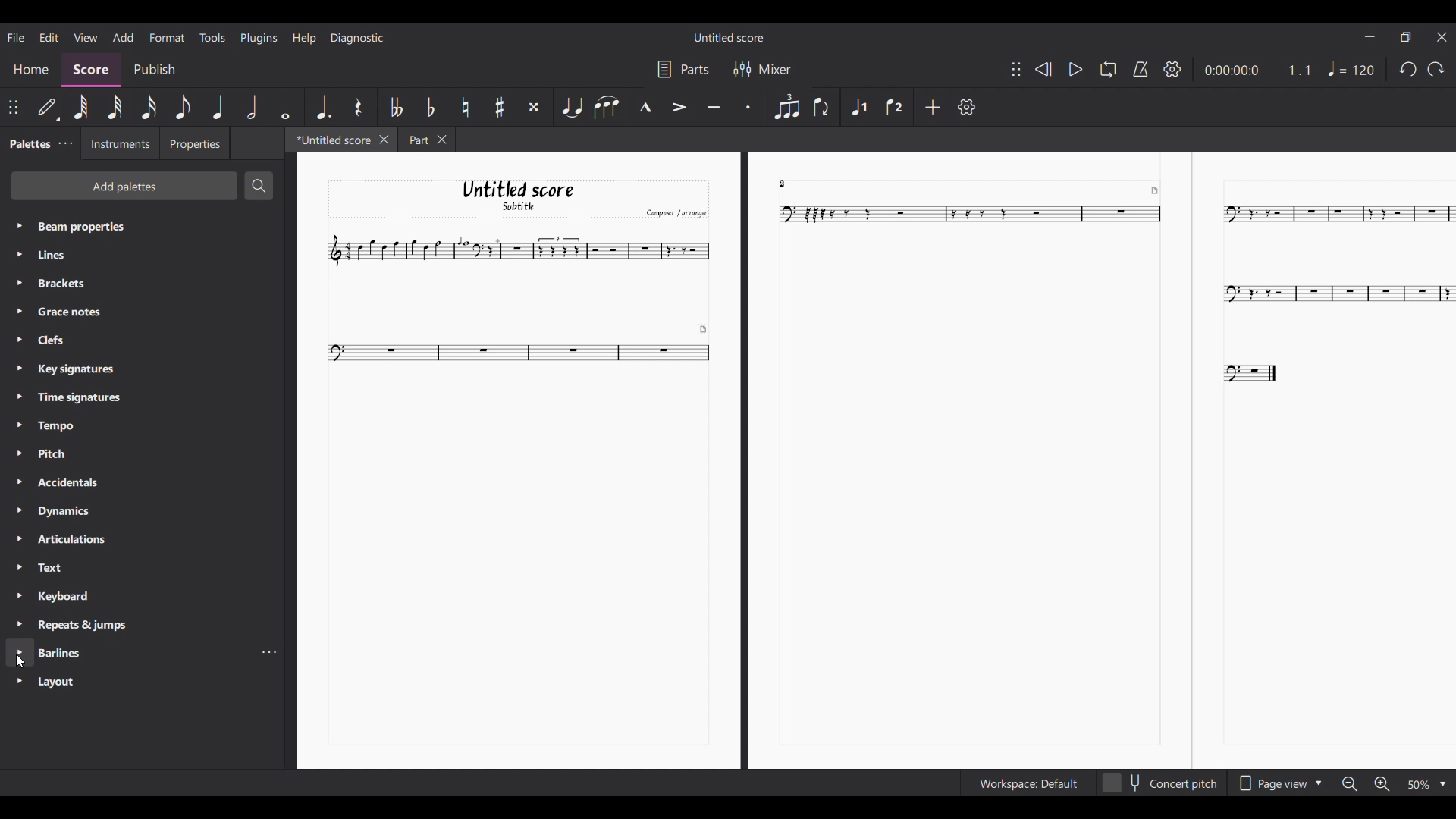 This screenshot has height=819, width=1456. I want to click on Mixer settings, so click(763, 70).